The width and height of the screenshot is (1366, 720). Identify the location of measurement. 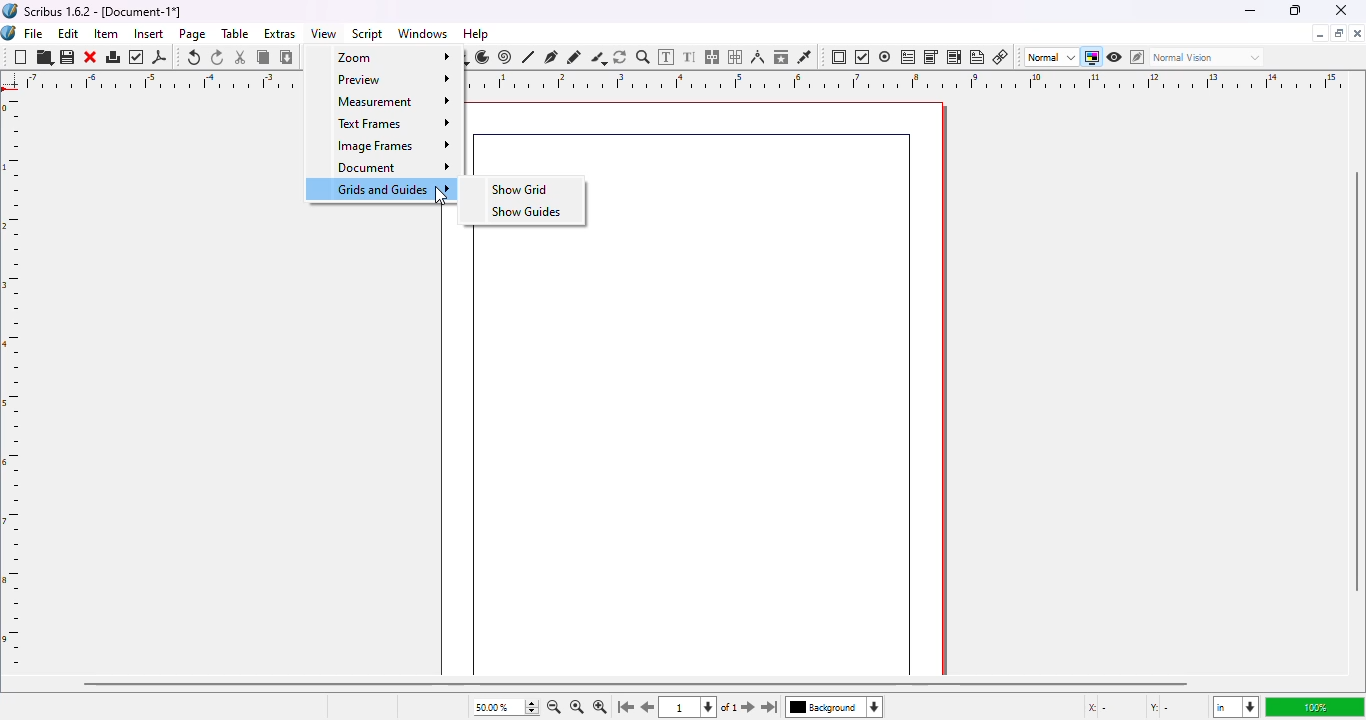
(382, 101).